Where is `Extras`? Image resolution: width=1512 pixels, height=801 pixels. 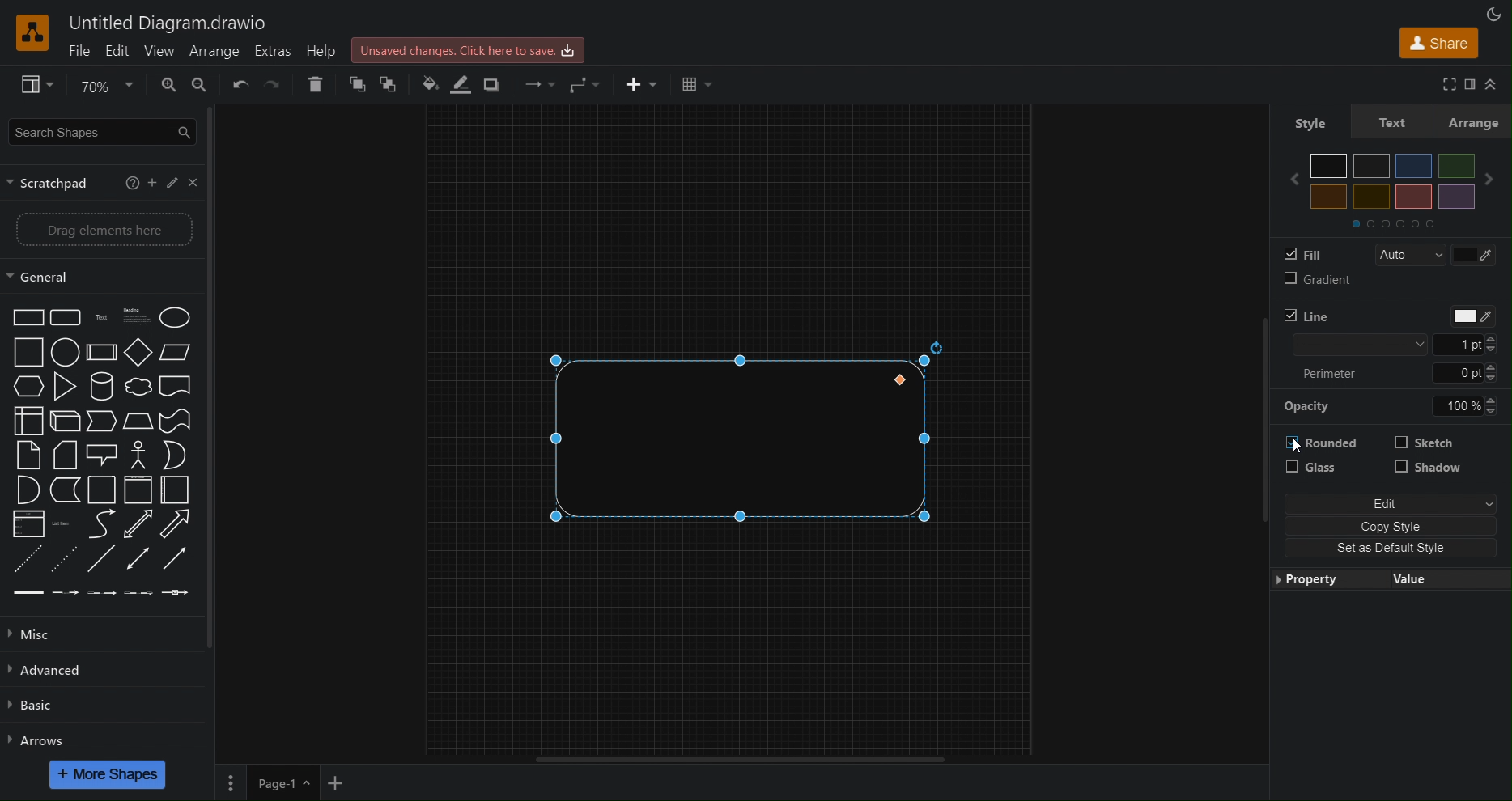
Extras is located at coordinates (278, 53).